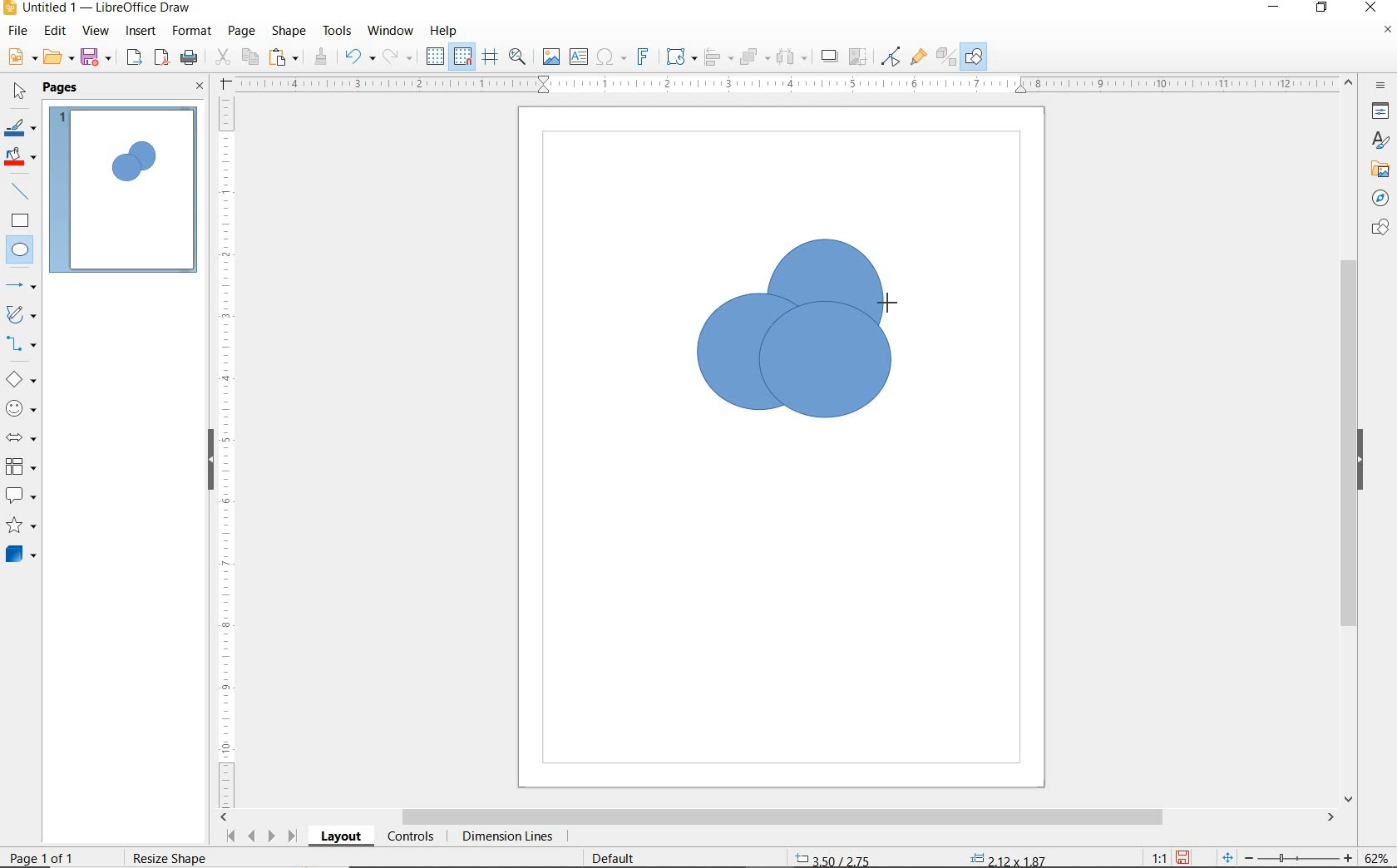 This screenshot has width=1397, height=868. Describe the element at coordinates (21, 527) in the screenshot. I see `STARS AND BANNERS` at that location.